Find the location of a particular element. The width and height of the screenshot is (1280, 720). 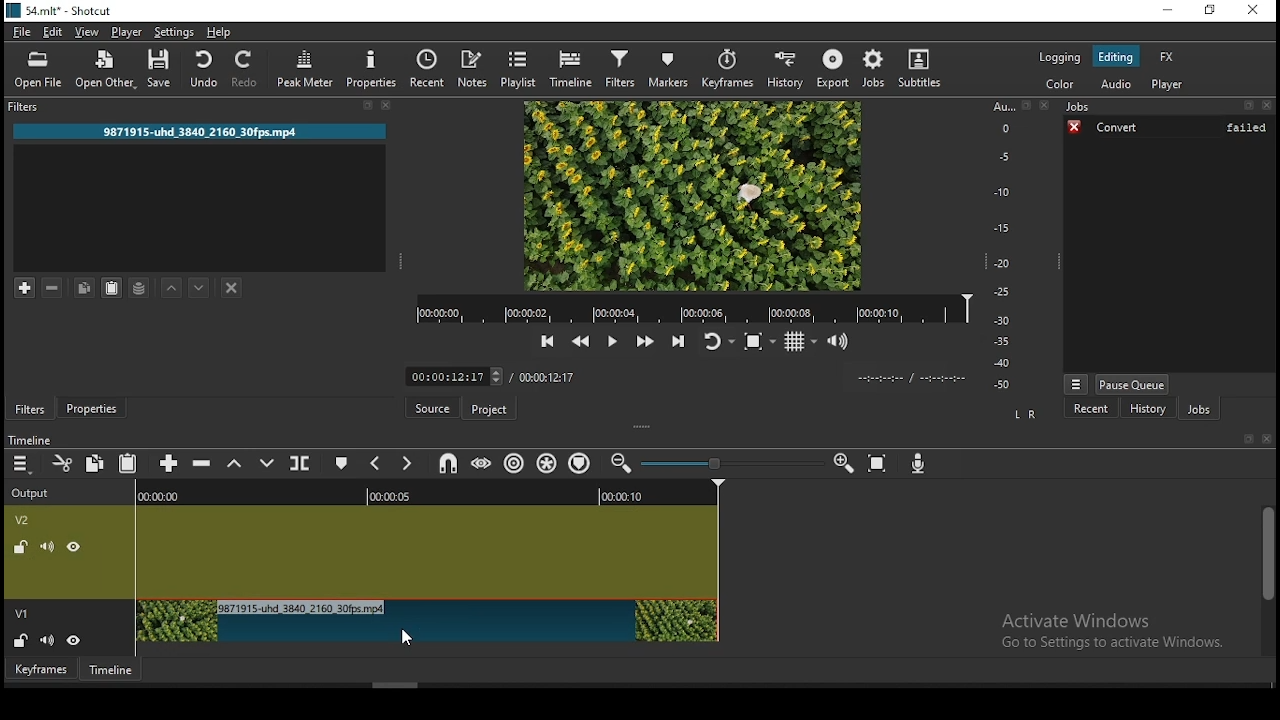

player is located at coordinates (126, 34).